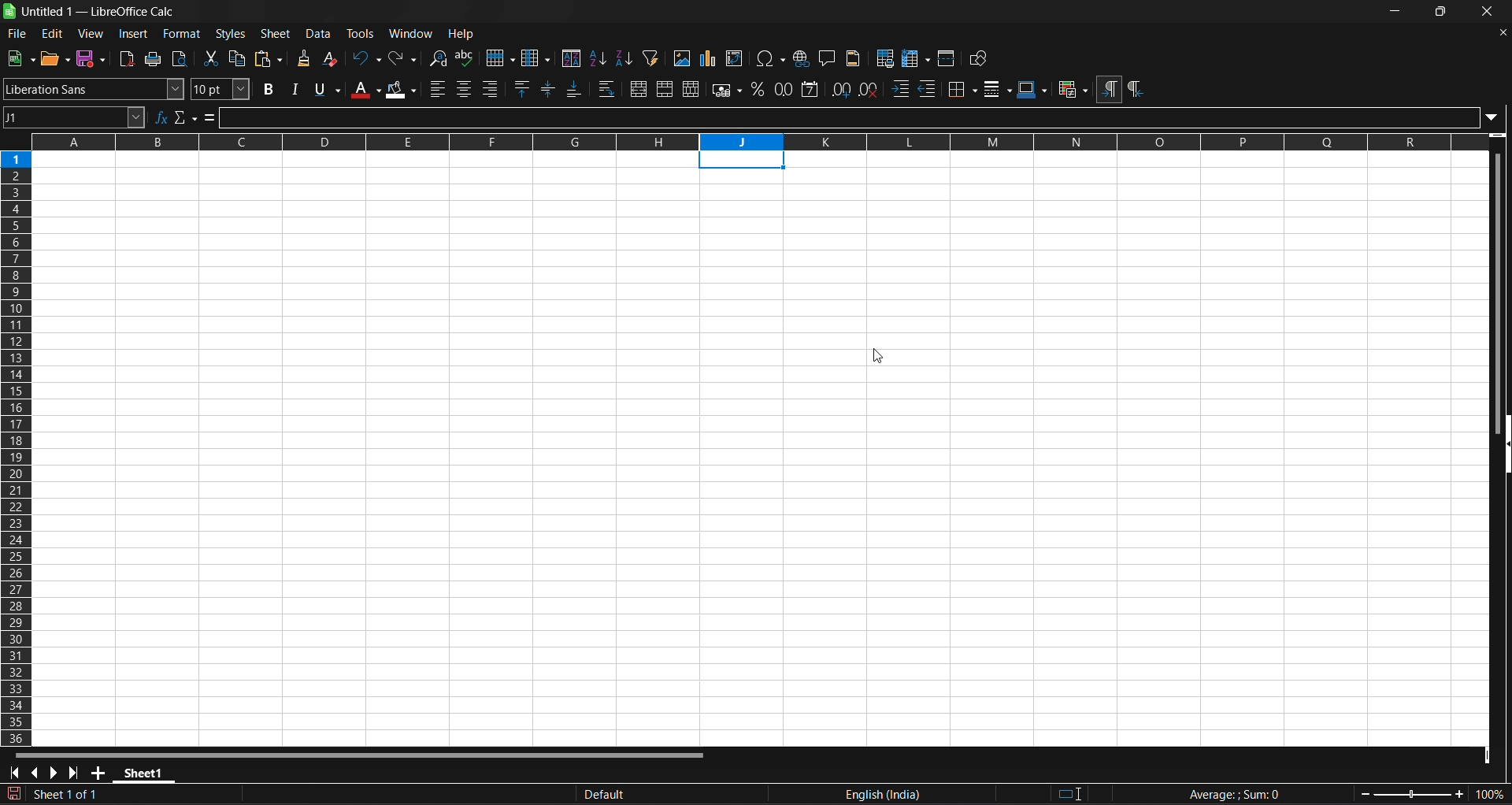 The image size is (1512, 805). What do you see at coordinates (56, 772) in the screenshot?
I see `scroll to next sheet` at bounding box center [56, 772].